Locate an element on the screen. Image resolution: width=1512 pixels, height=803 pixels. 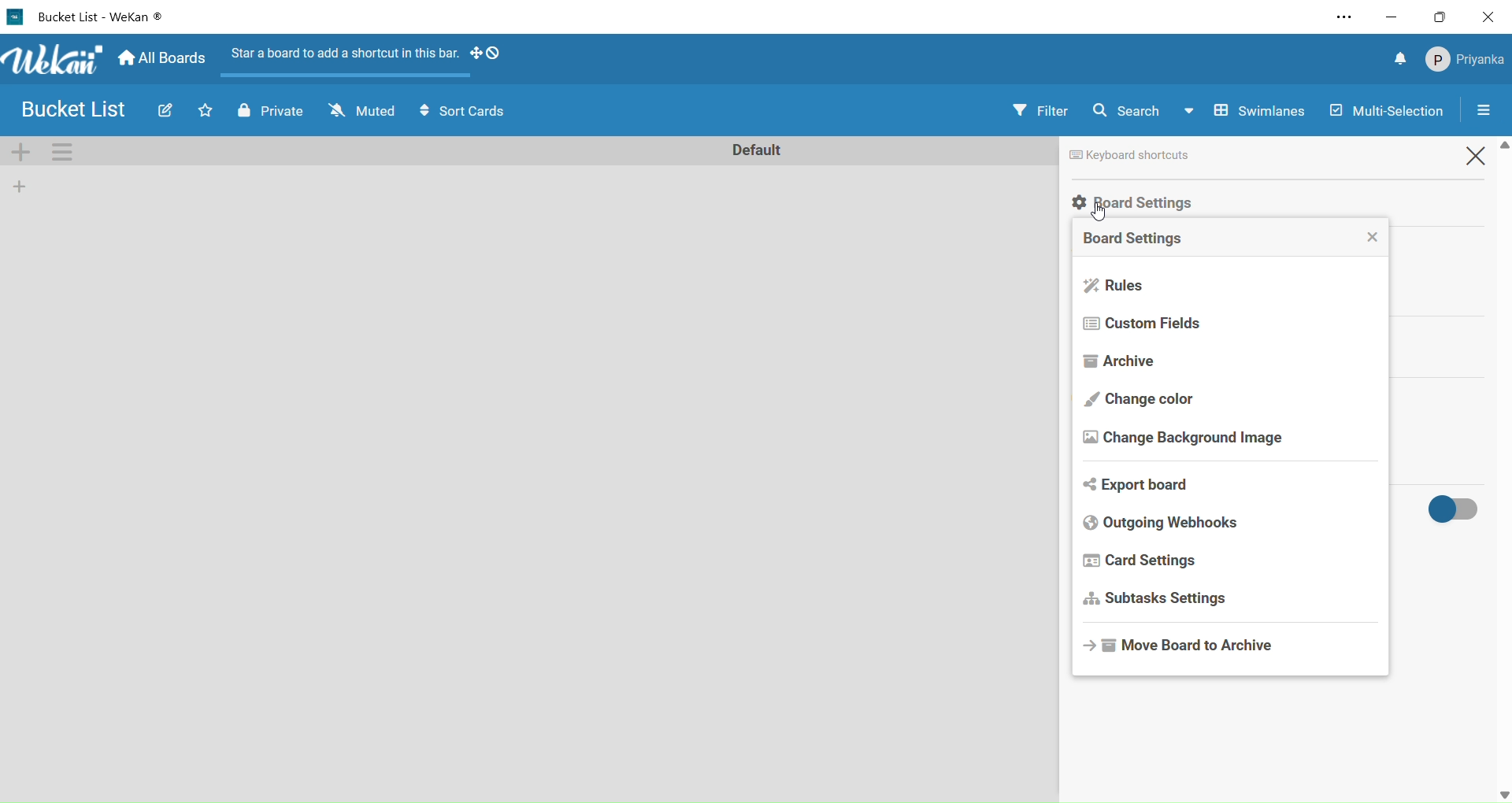
minimize is located at coordinates (1395, 18).